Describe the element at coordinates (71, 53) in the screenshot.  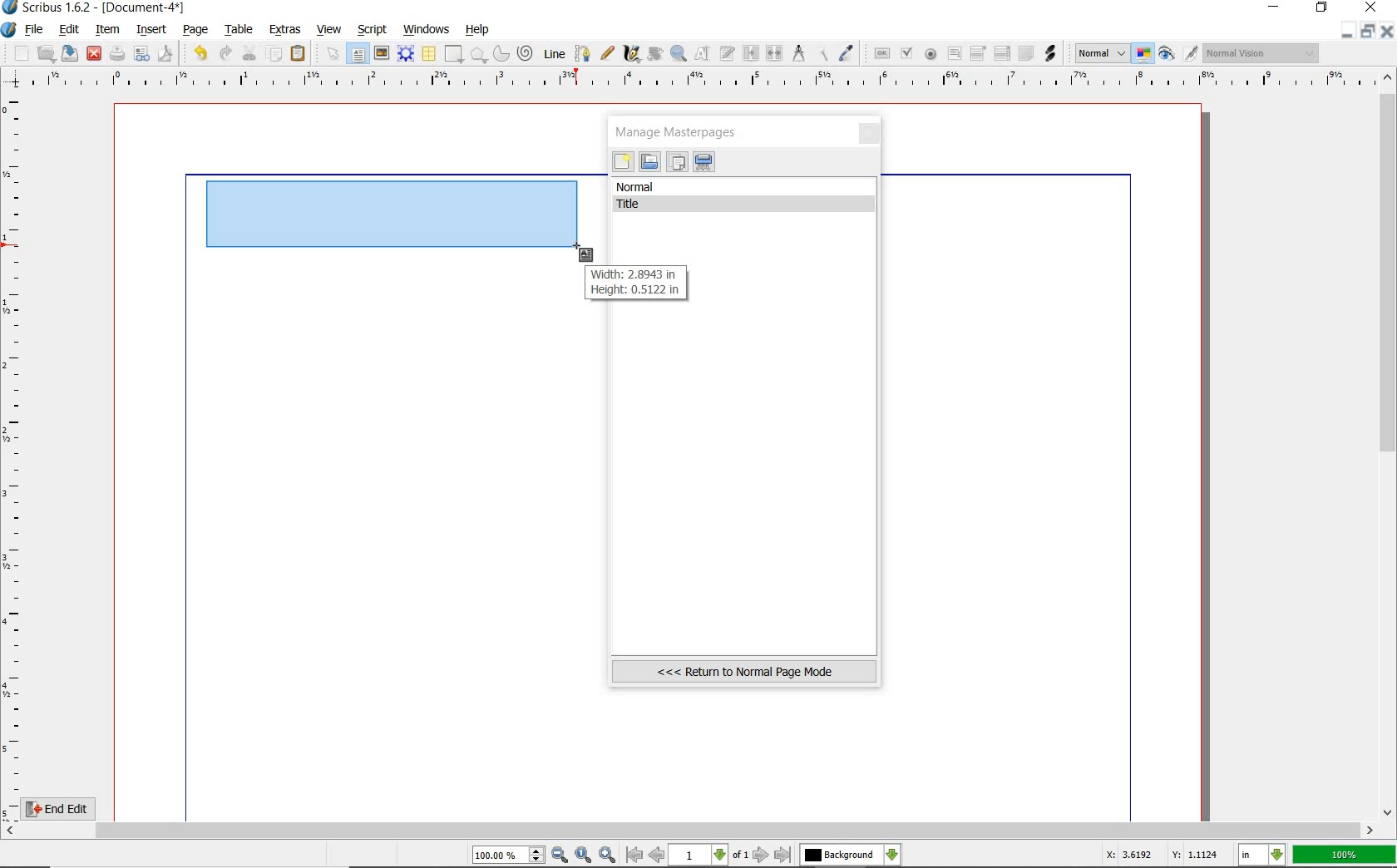
I see `save` at that location.